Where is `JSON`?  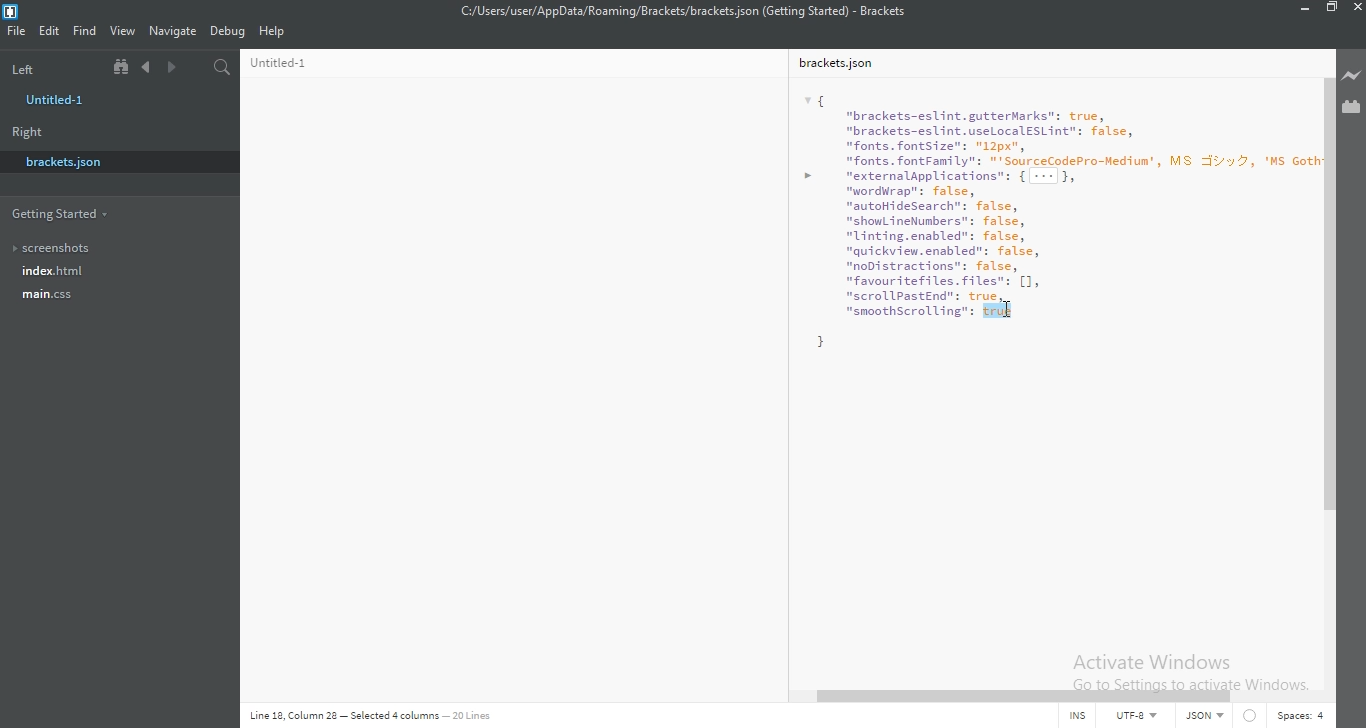
JSON is located at coordinates (1210, 718).